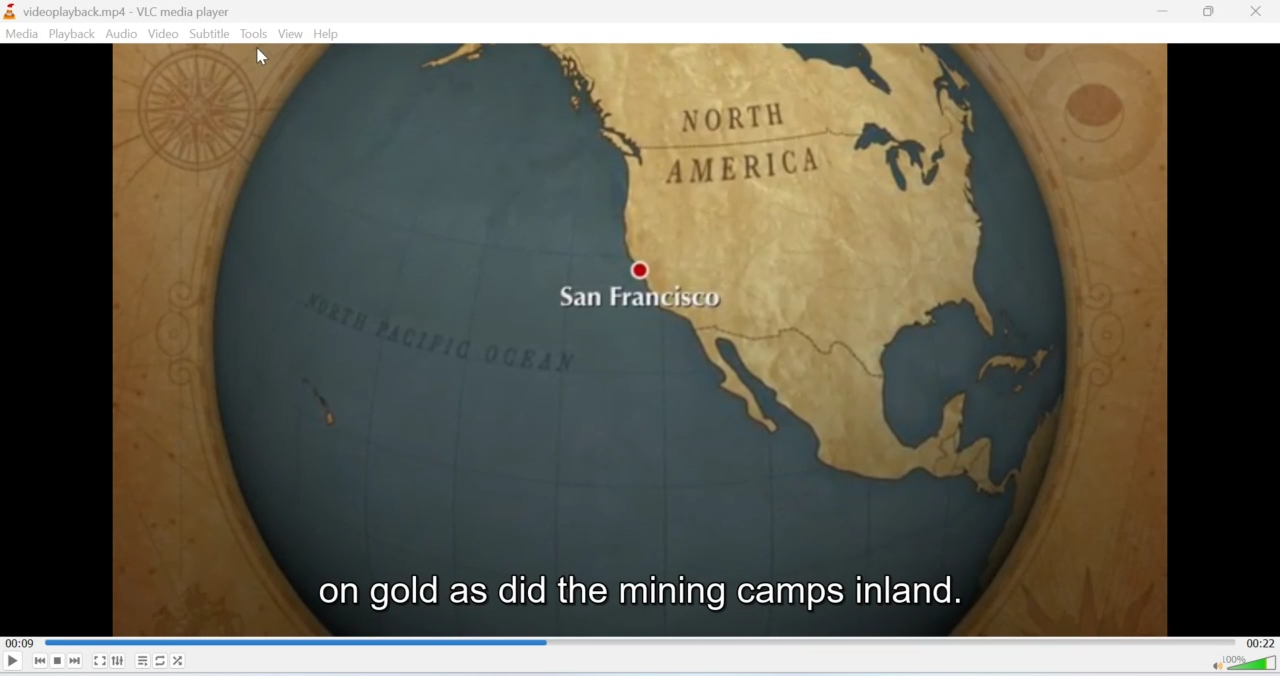  Describe the element at coordinates (1261, 642) in the screenshot. I see `00:22` at that location.